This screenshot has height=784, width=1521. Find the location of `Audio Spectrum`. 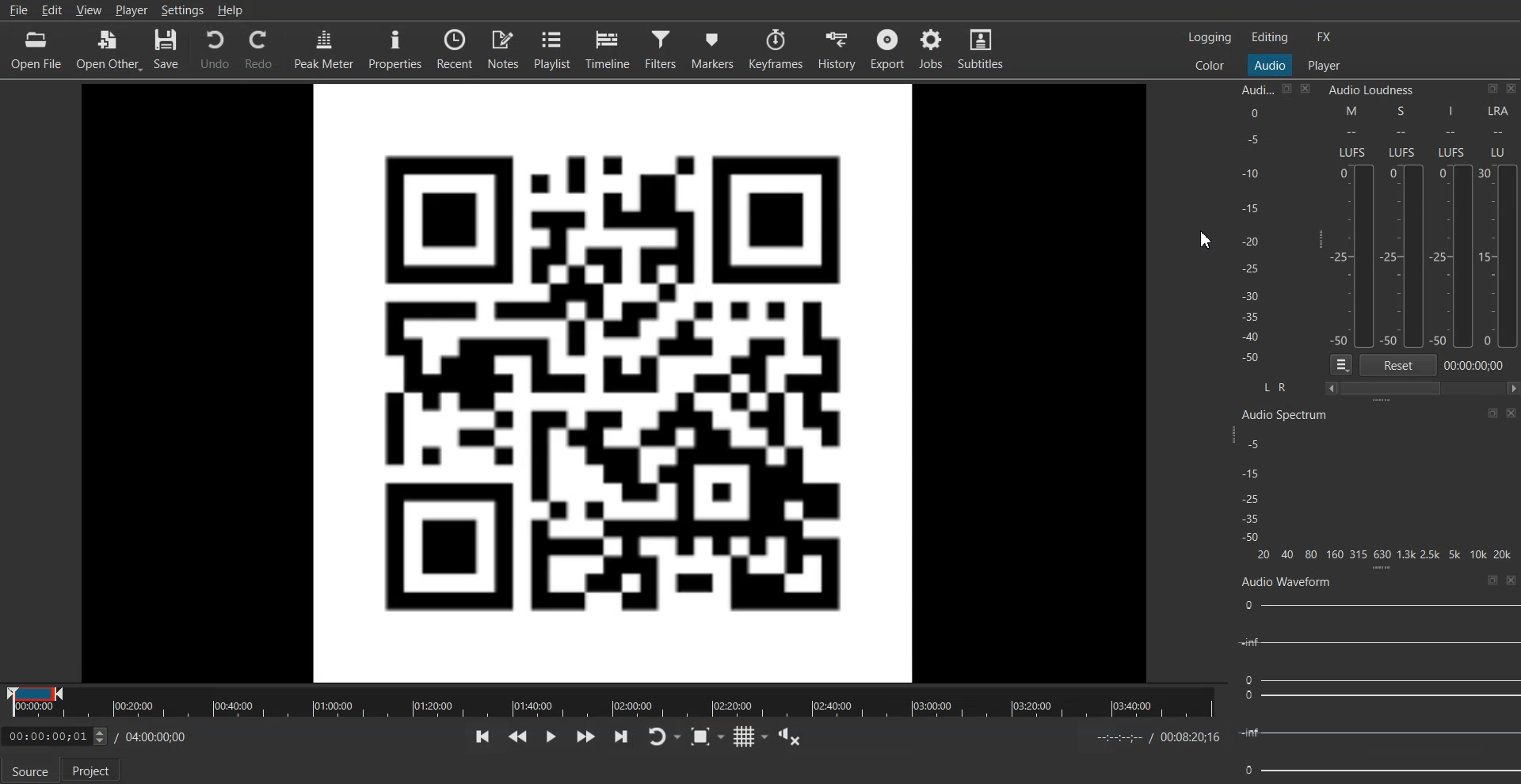

Audio Spectrum is located at coordinates (1286, 414).